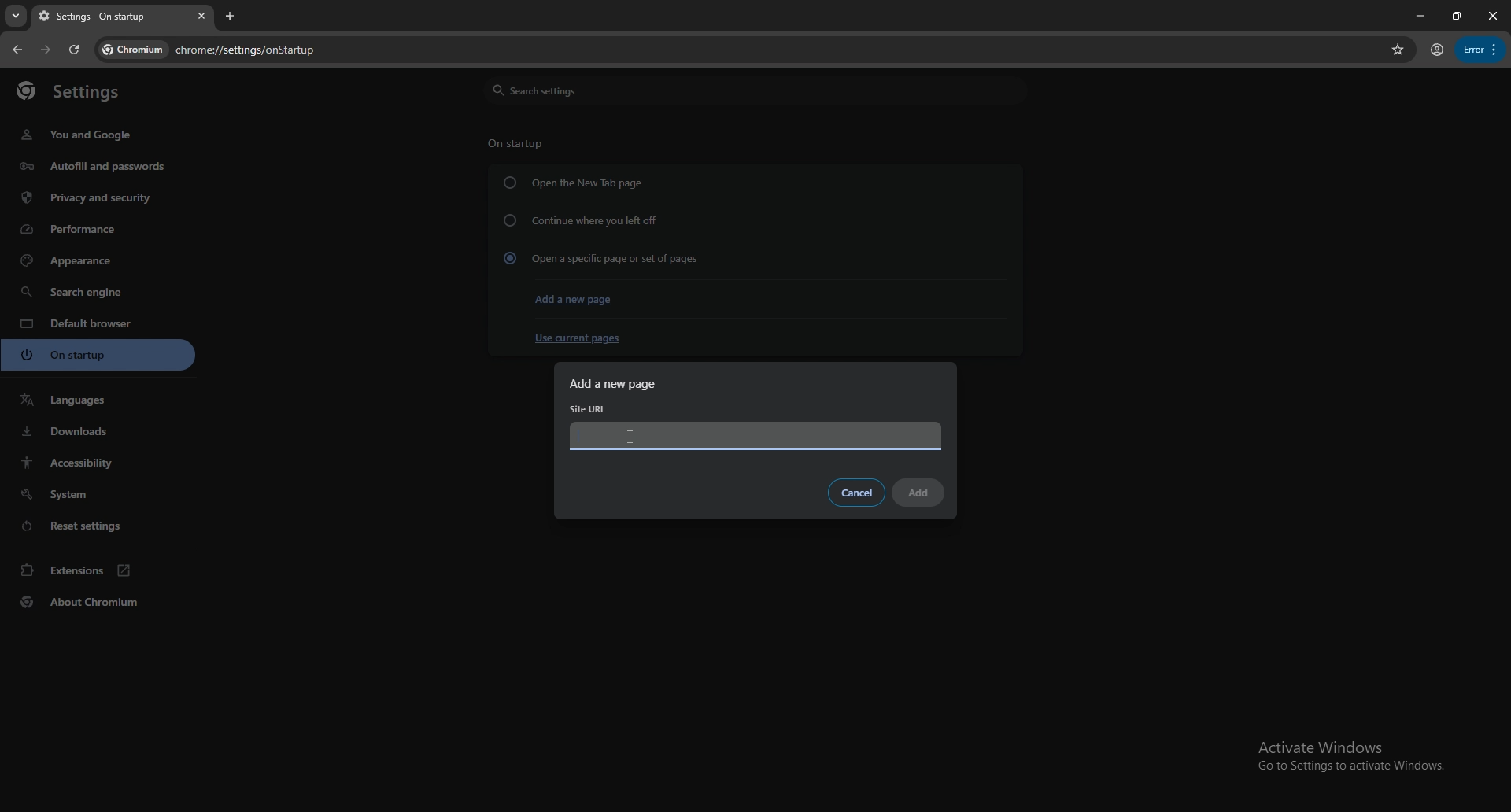 This screenshot has height=812, width=1511. I want to click on settings, so click(80, 93).